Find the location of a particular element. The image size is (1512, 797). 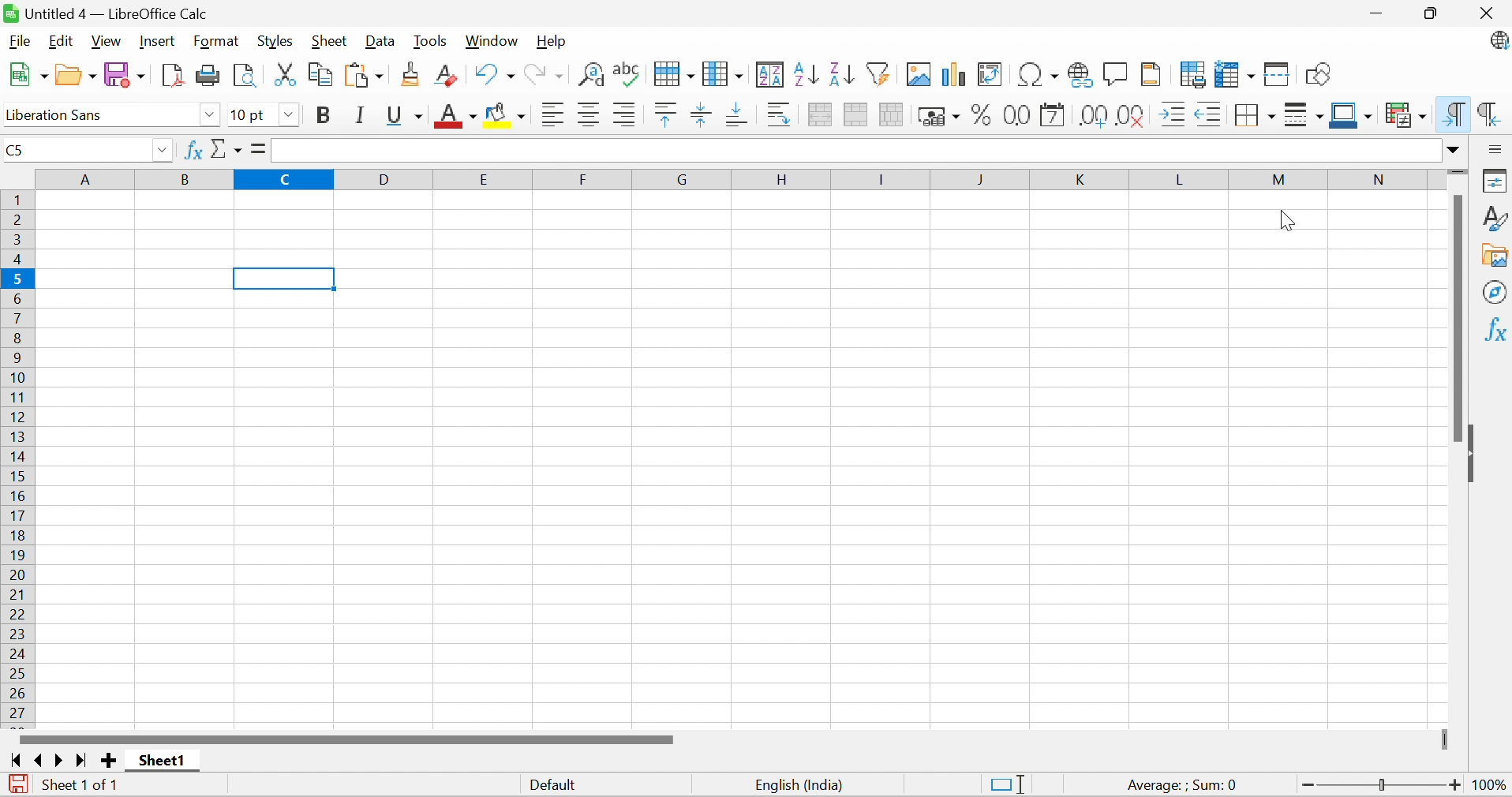

Define print area is located at coordinates (1195, 77).